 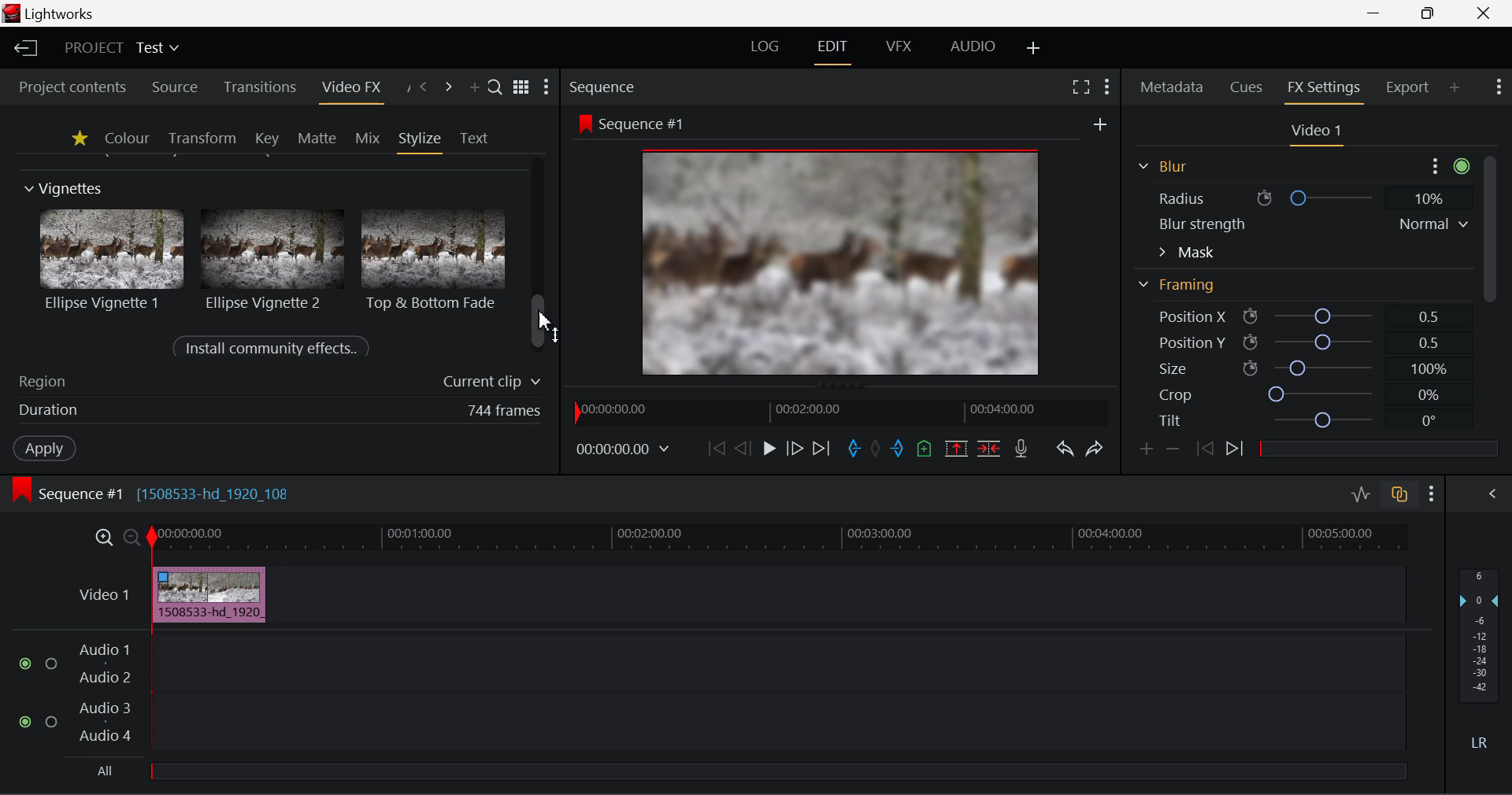 I want to click on Remove keyframe, so click(x=1173, y=448).